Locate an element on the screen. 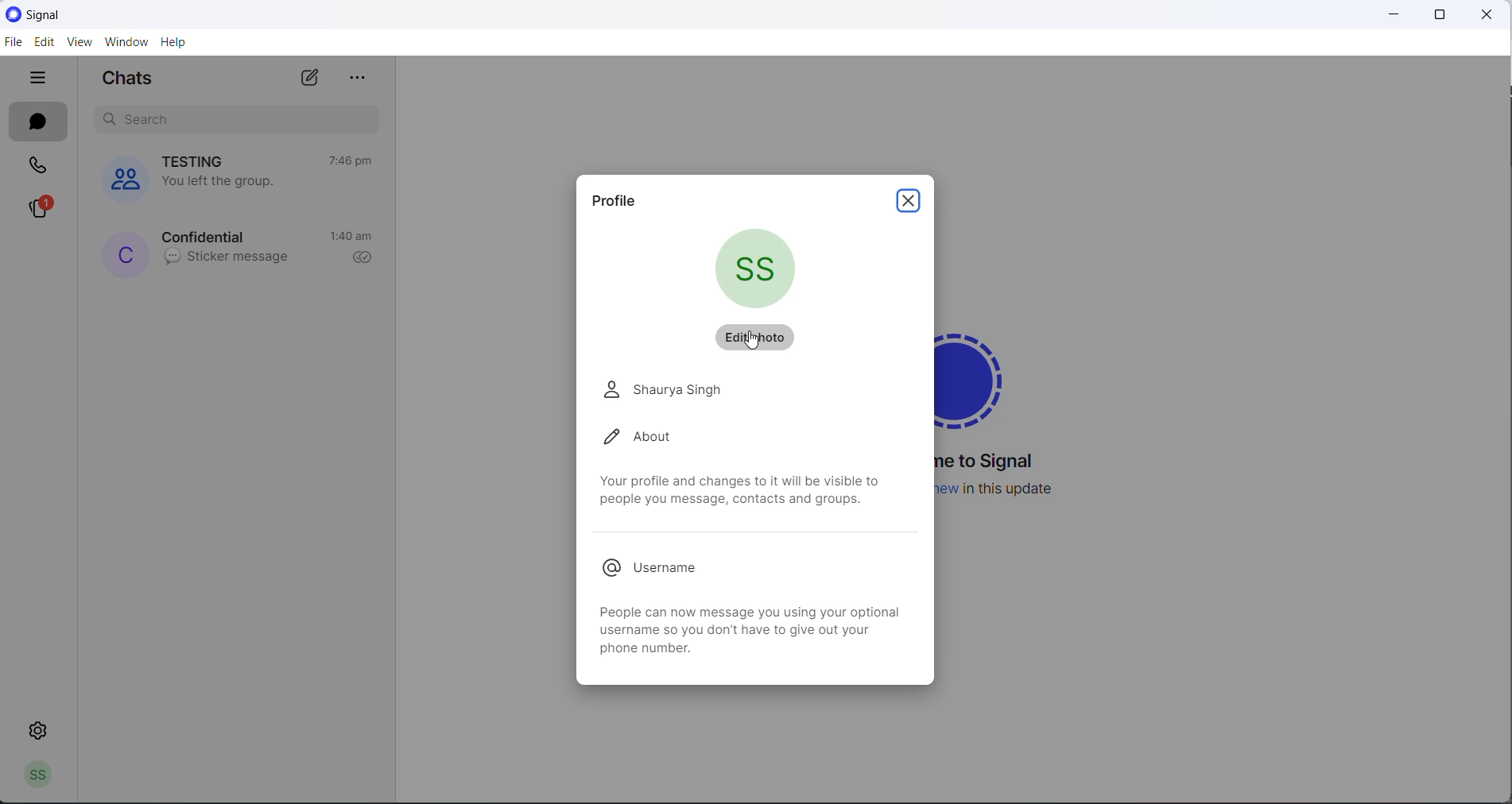 Image resolution: width=1512 pixels, height=804 pixels. new chats is located at coordinates (308, 79).